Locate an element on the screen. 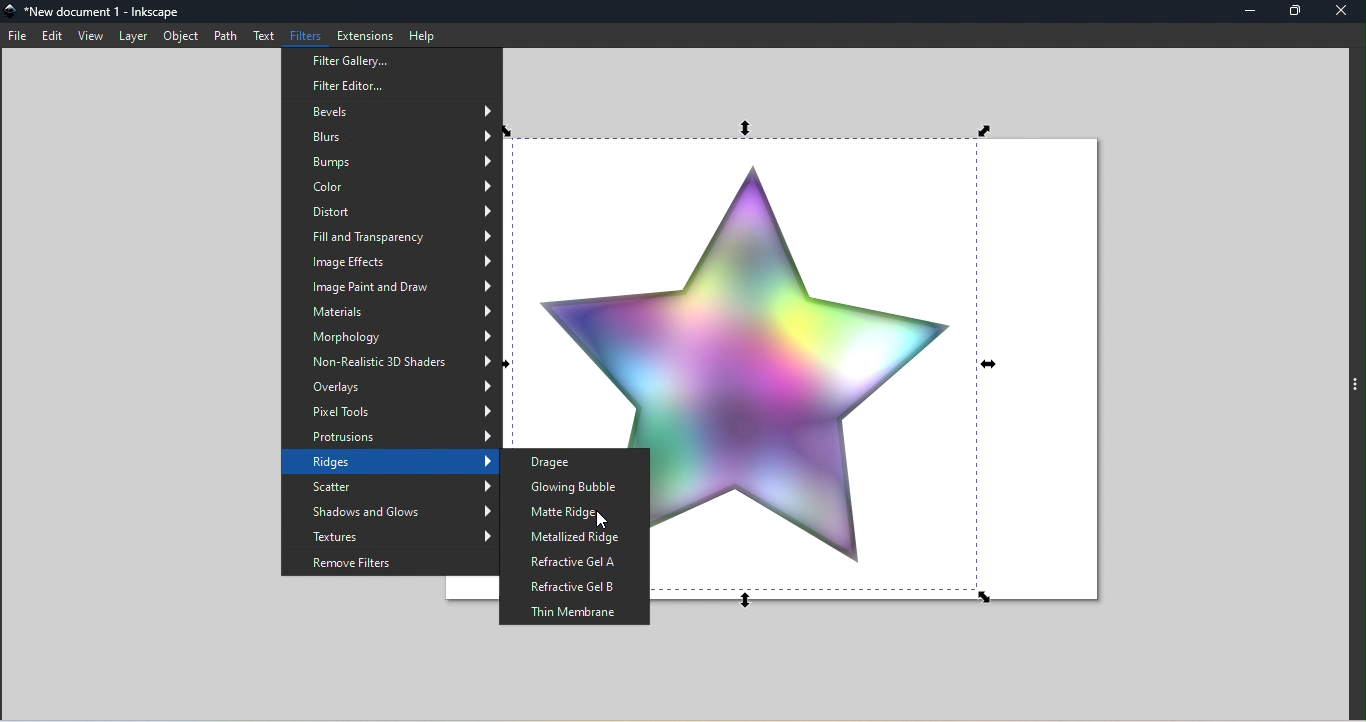 Image resolution: width=1366 pixels, height=722 pixels. Protrusions is located at coordinates (393, 439).